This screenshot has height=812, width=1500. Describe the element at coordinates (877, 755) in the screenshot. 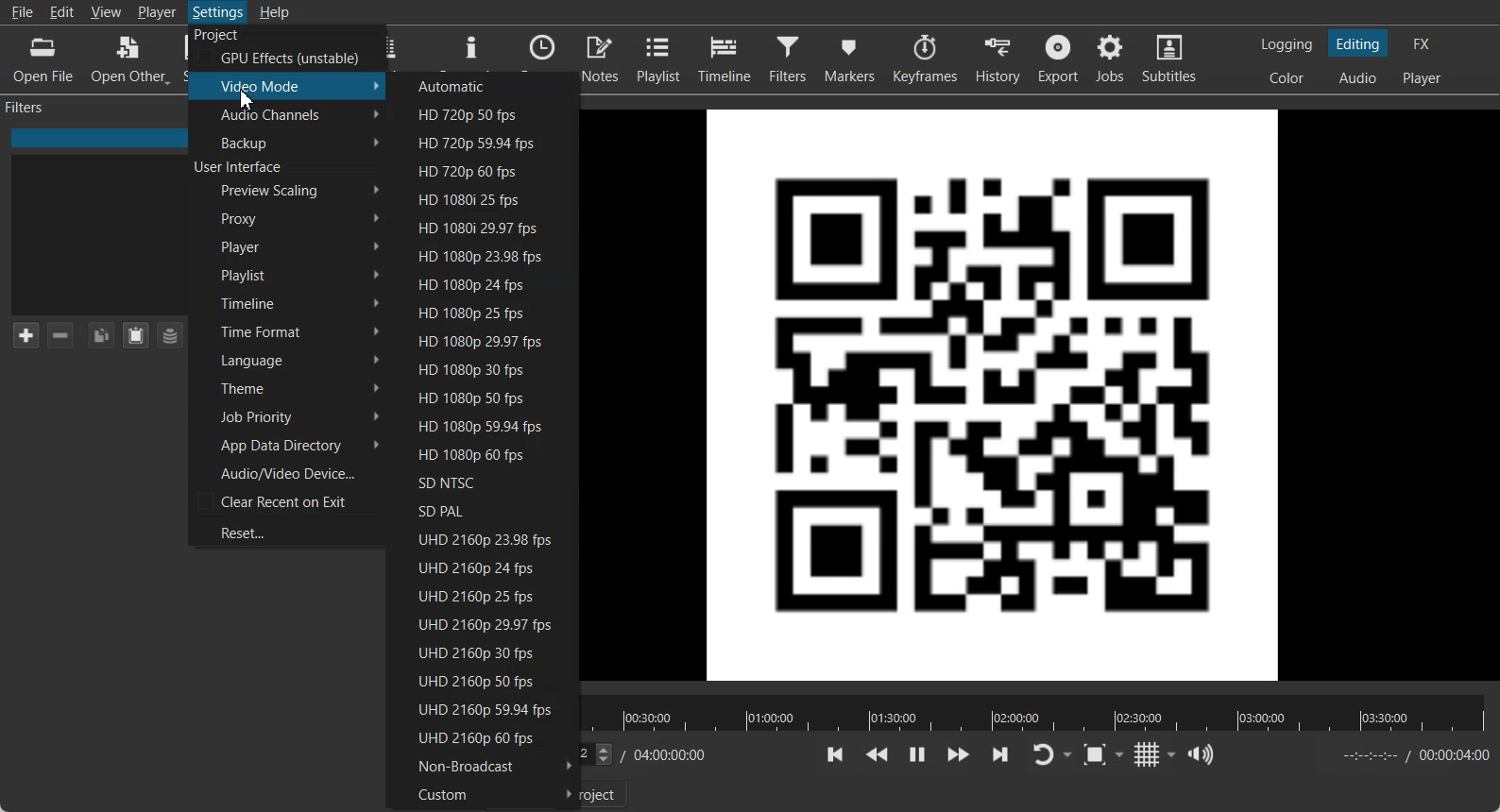

I see `Play quickly backward` at that location.